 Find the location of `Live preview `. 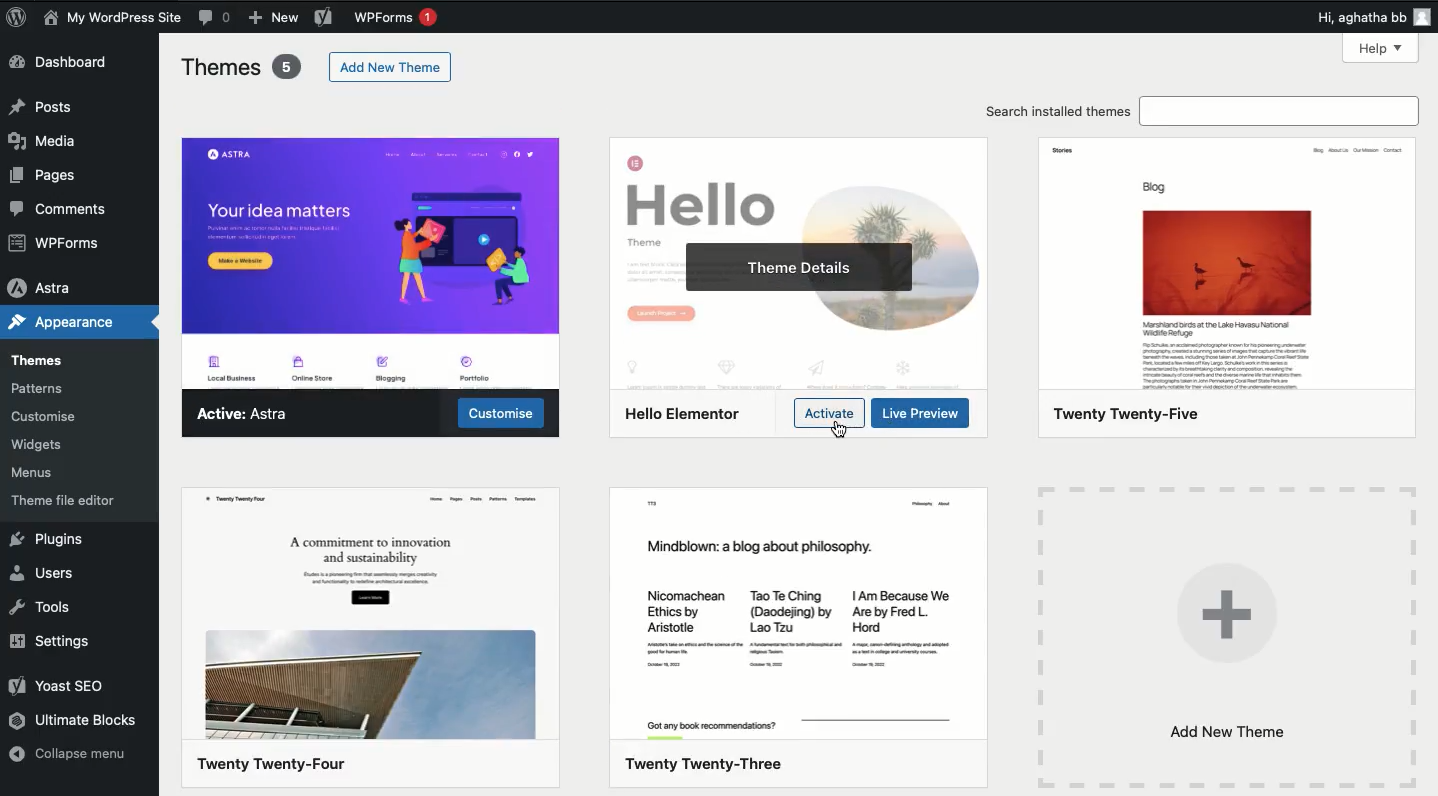

Live preview  is located at coordinates (923, 414).